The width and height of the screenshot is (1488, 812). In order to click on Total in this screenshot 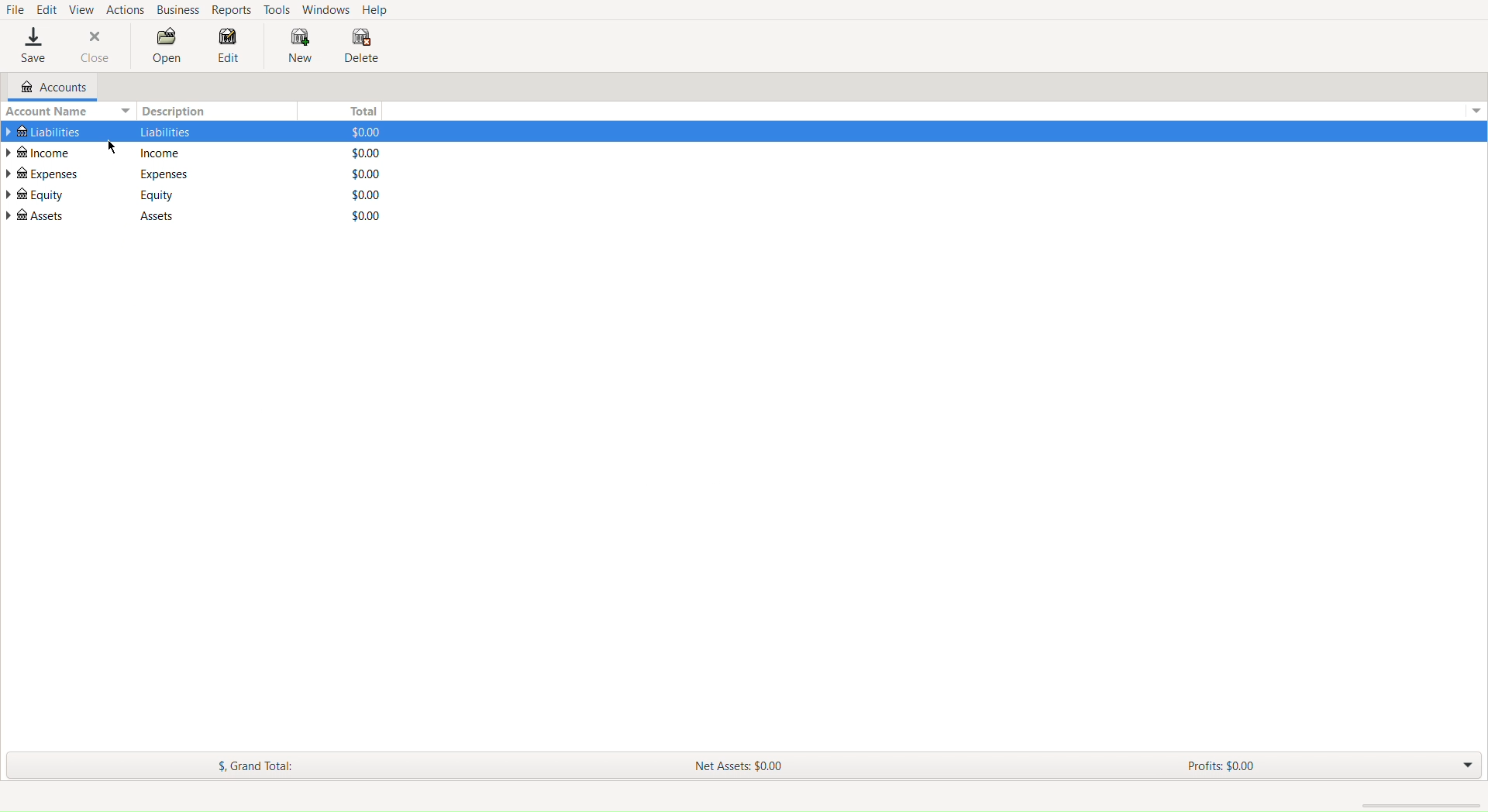, I will do `click(367, 174)`.